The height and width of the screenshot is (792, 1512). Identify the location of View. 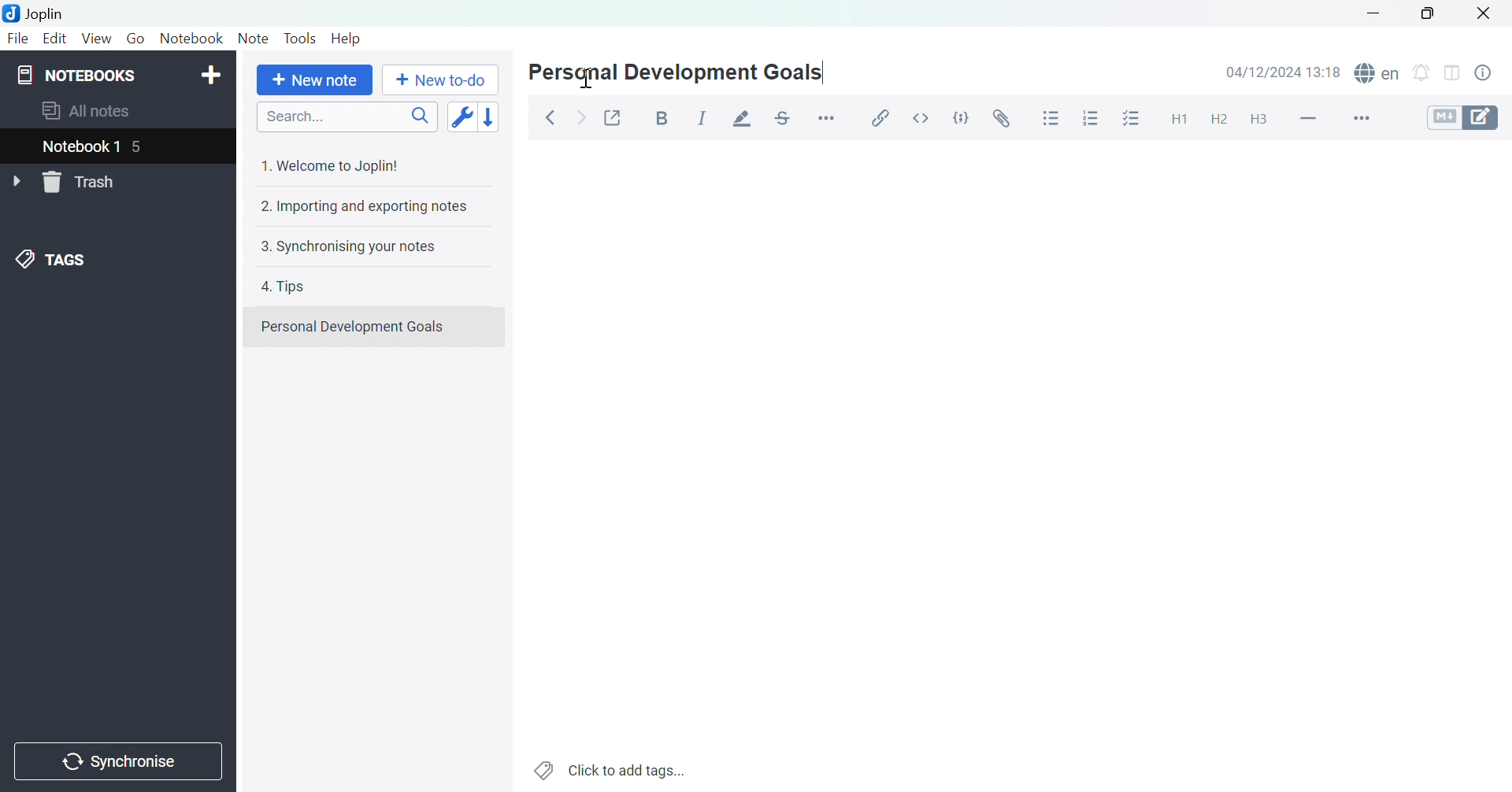
(95, 39).